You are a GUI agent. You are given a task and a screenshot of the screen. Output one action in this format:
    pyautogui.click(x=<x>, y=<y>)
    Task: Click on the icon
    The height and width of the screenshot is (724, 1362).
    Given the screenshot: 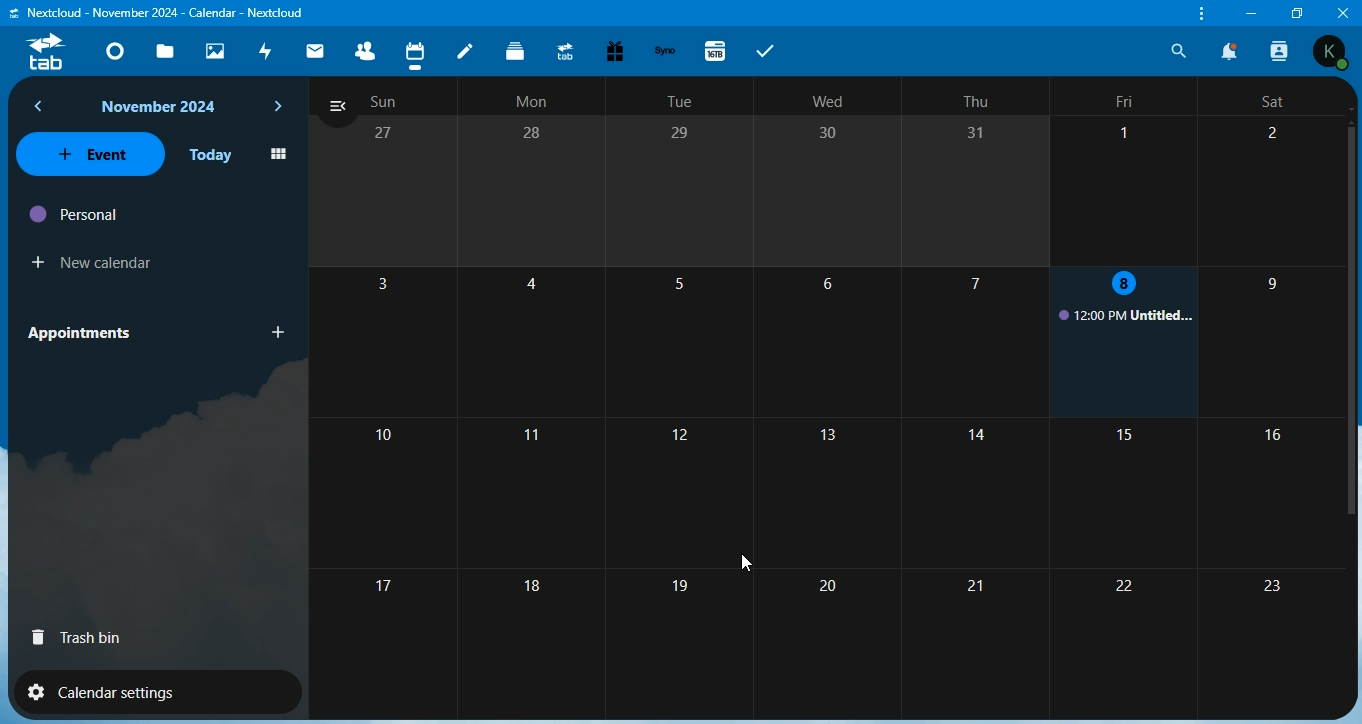 What is the action you would take?
    pyautogui.click(x=278, y=153)
    